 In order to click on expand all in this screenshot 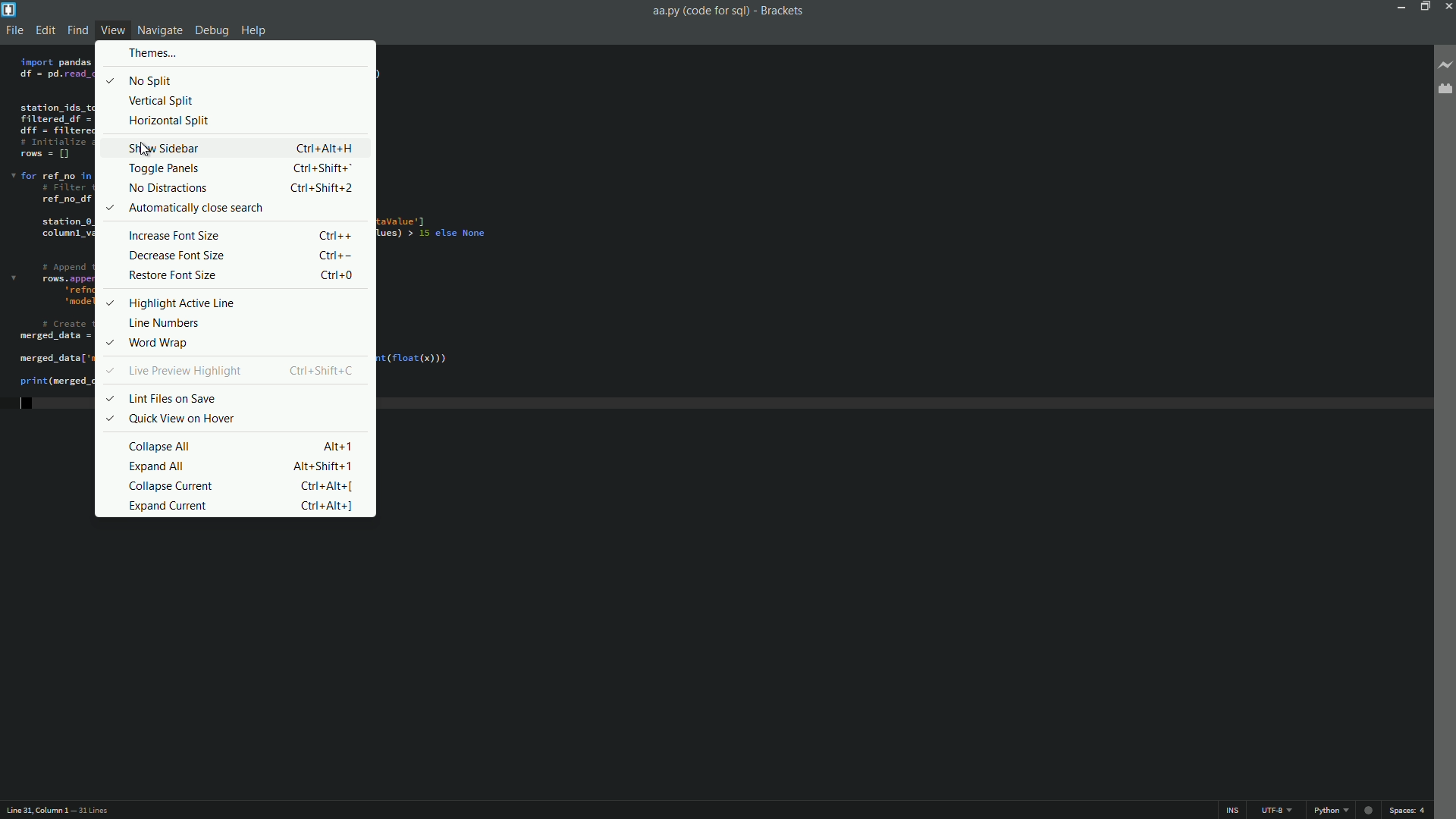, I will do `click(242, 466)`.